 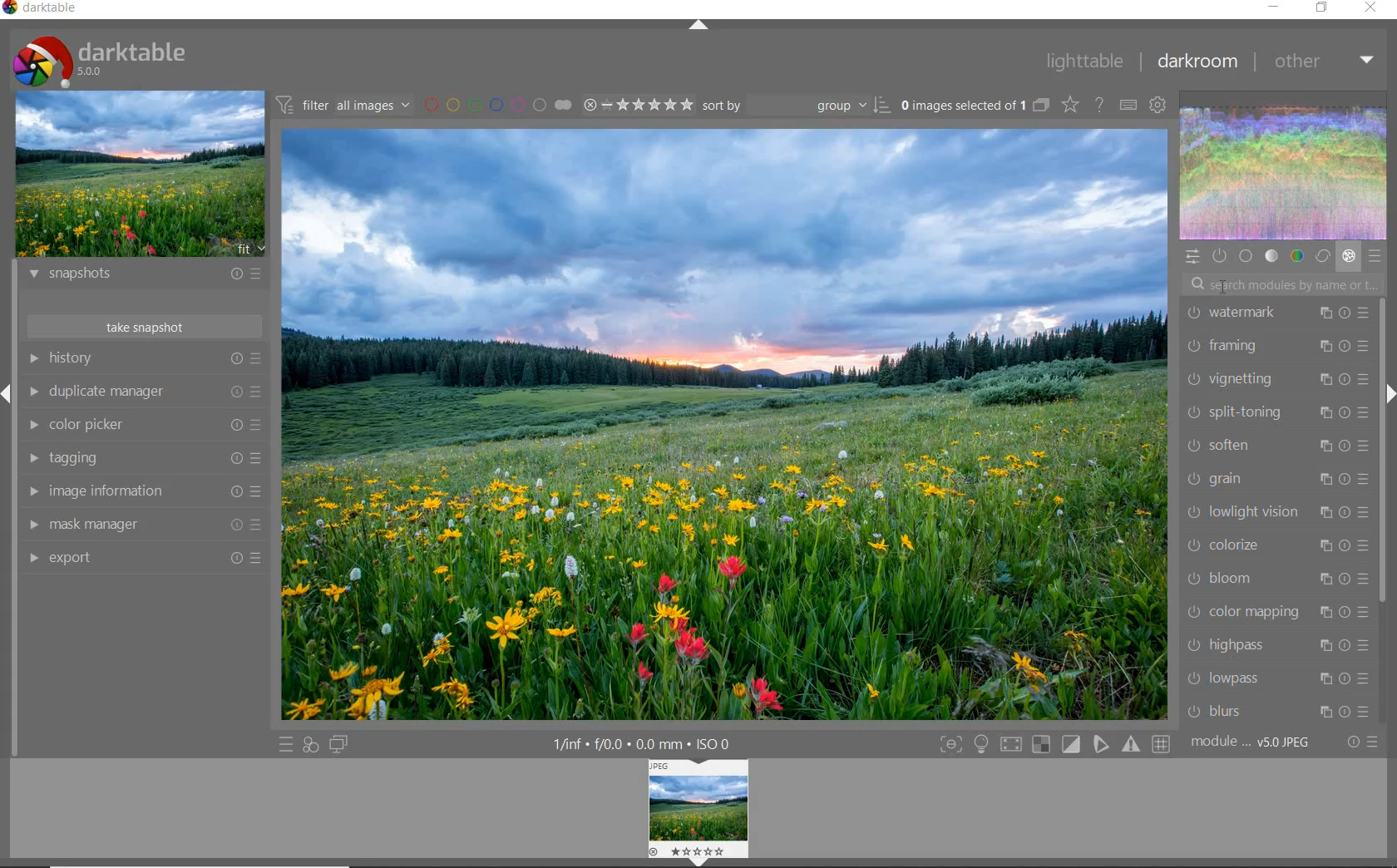 What do you see at coordinates (1298, 254) in the screenshot?
I see `color` at bounding box center [1298, 254].